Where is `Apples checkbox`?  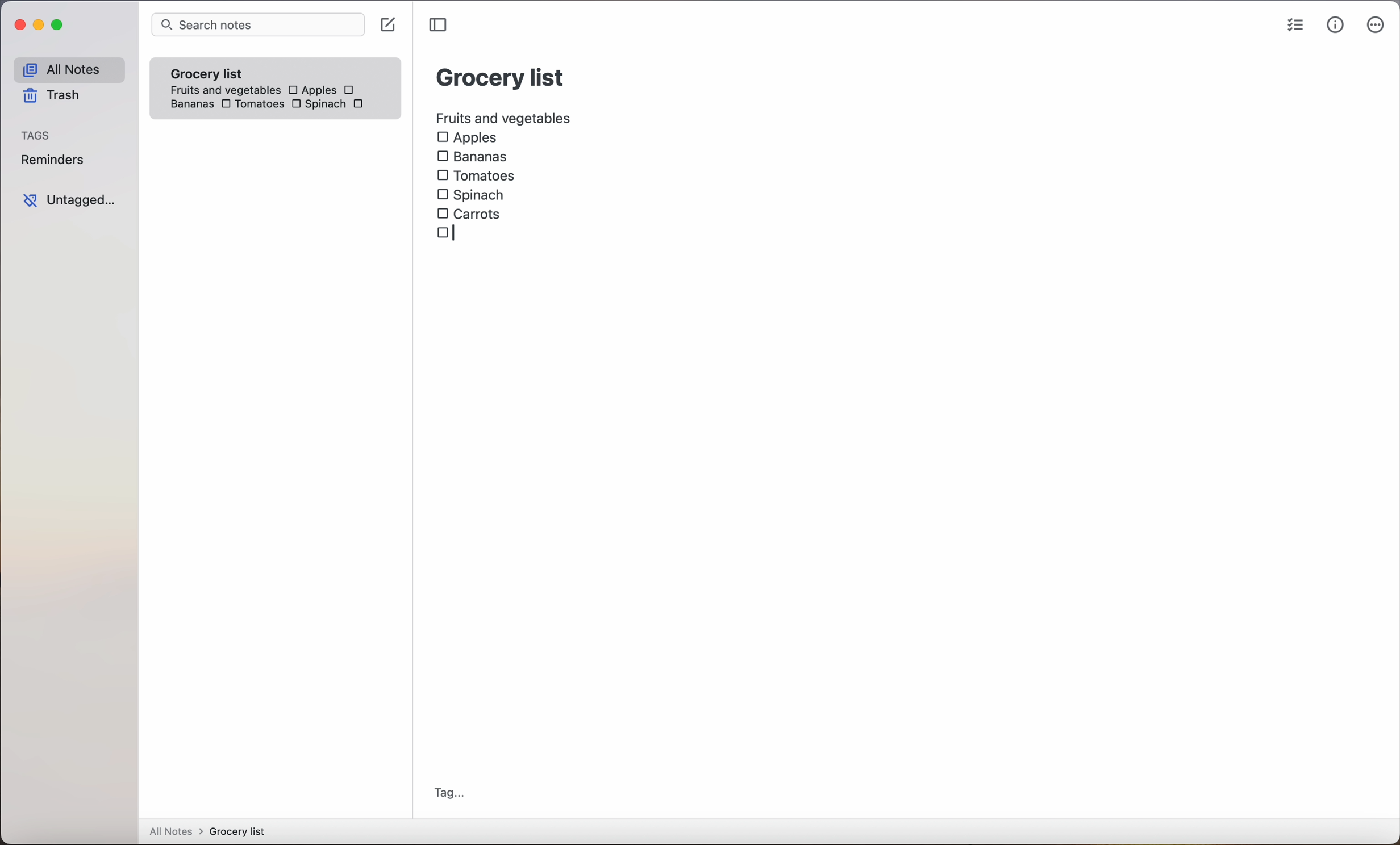
Apples checkbox is located at coordinates (311, 90).